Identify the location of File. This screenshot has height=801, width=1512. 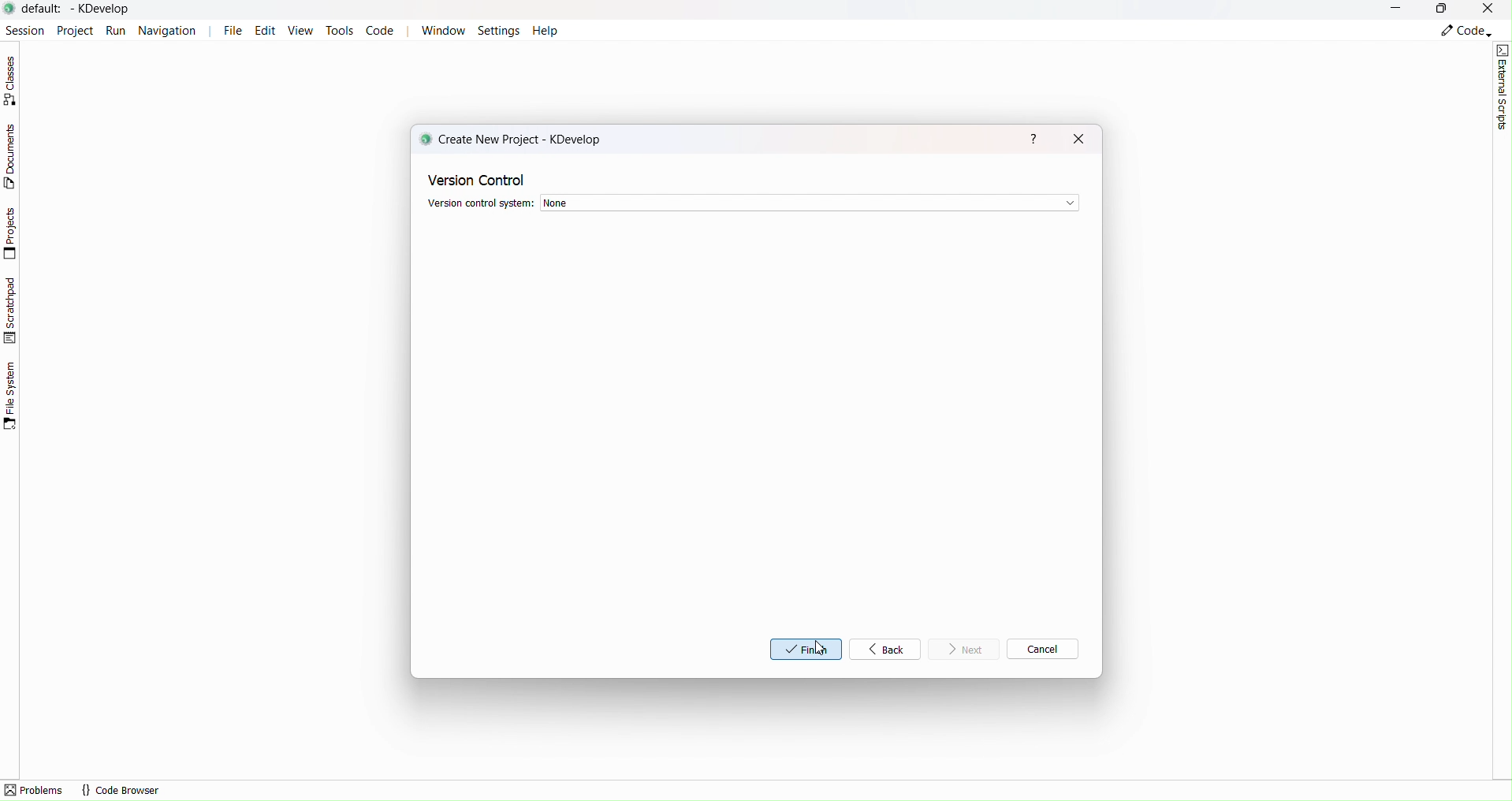
(233, 31).